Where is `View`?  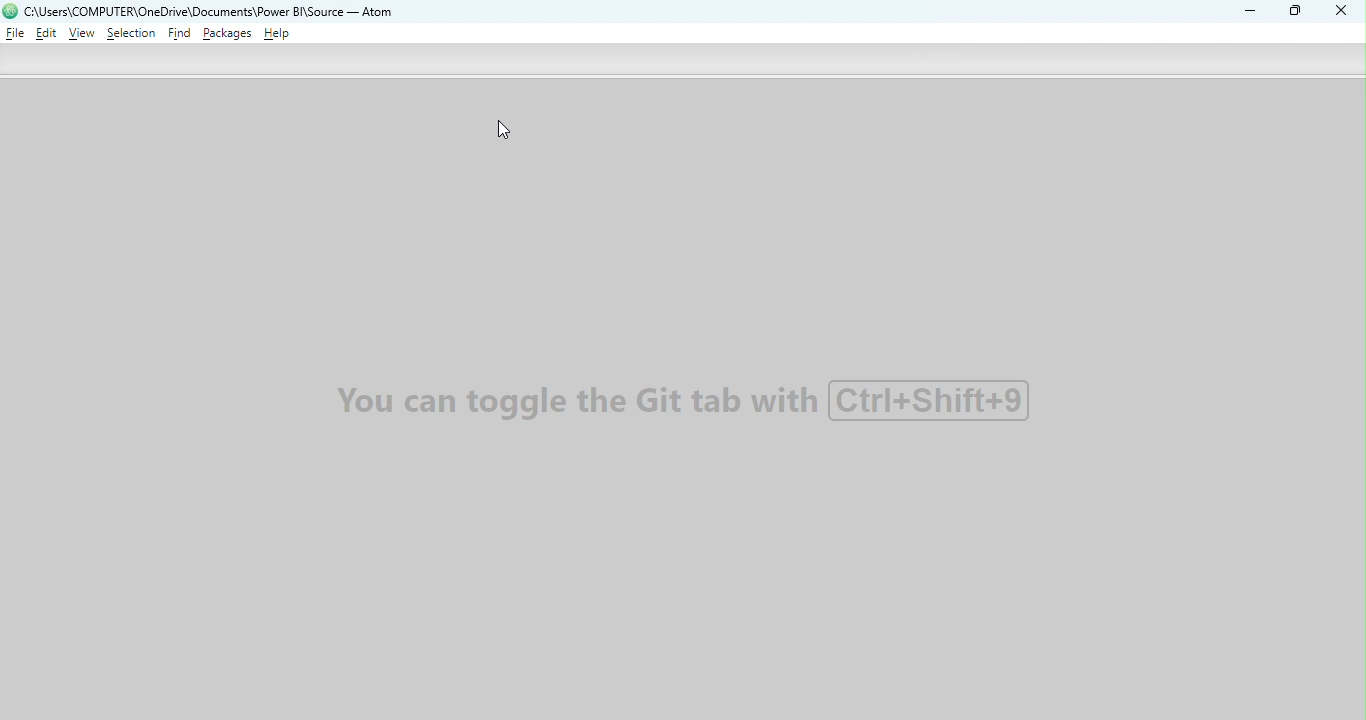 View is located at coordinates (84, 34).